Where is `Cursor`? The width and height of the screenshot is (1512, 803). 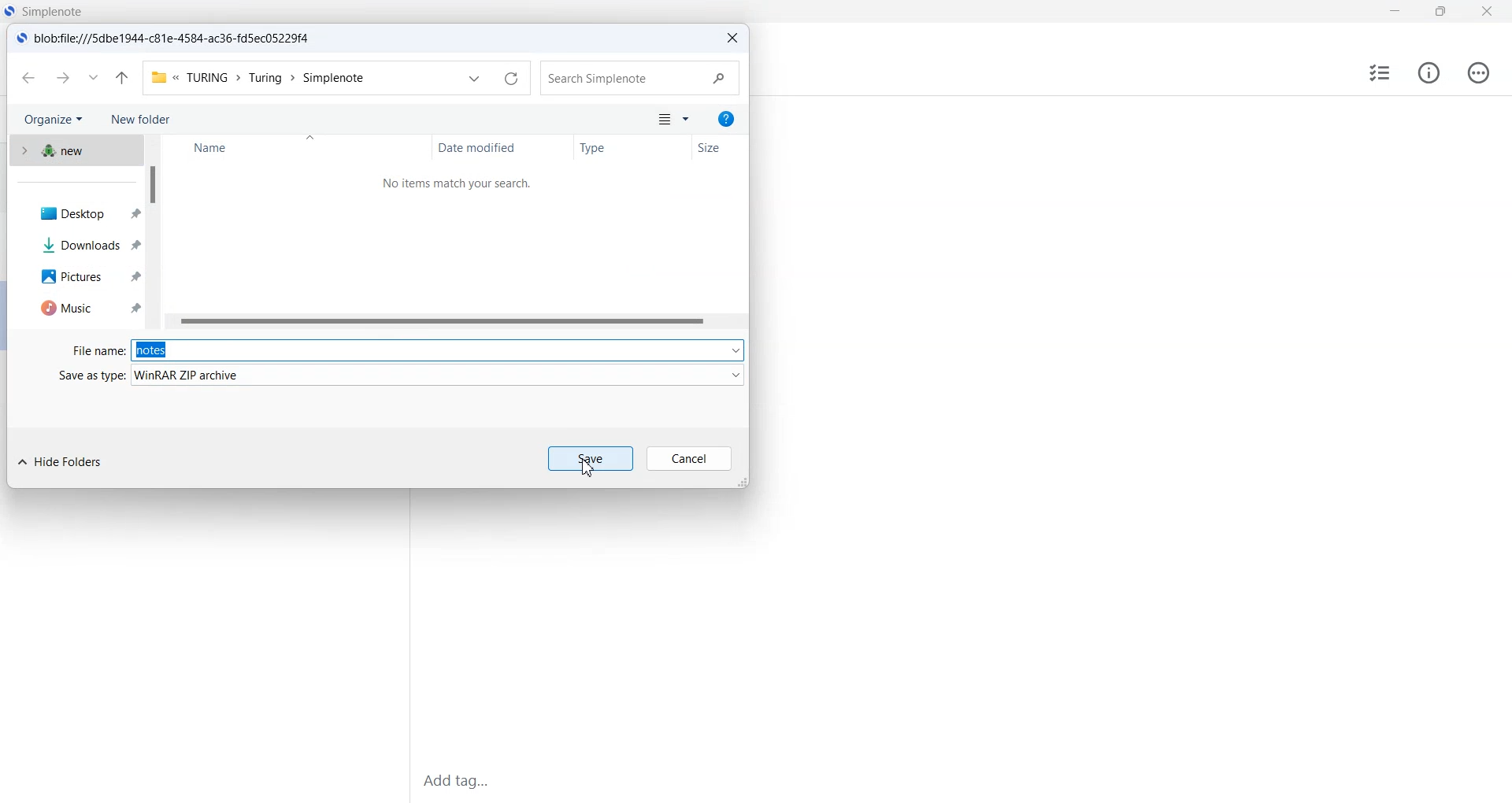
Cursor is located at coordinates (586, 466).